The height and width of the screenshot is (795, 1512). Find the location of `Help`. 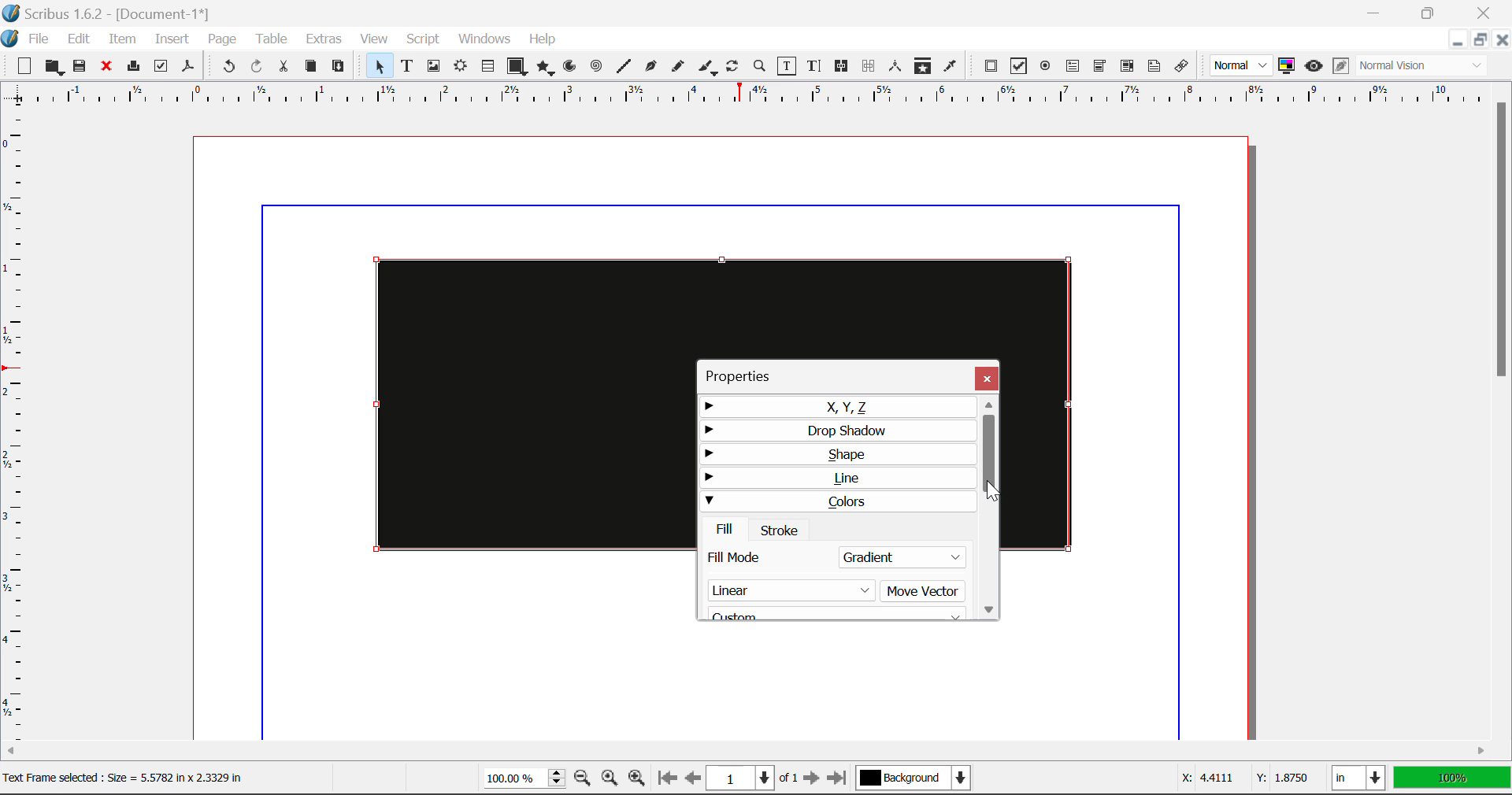

Help is located at coordinates (543, 39).